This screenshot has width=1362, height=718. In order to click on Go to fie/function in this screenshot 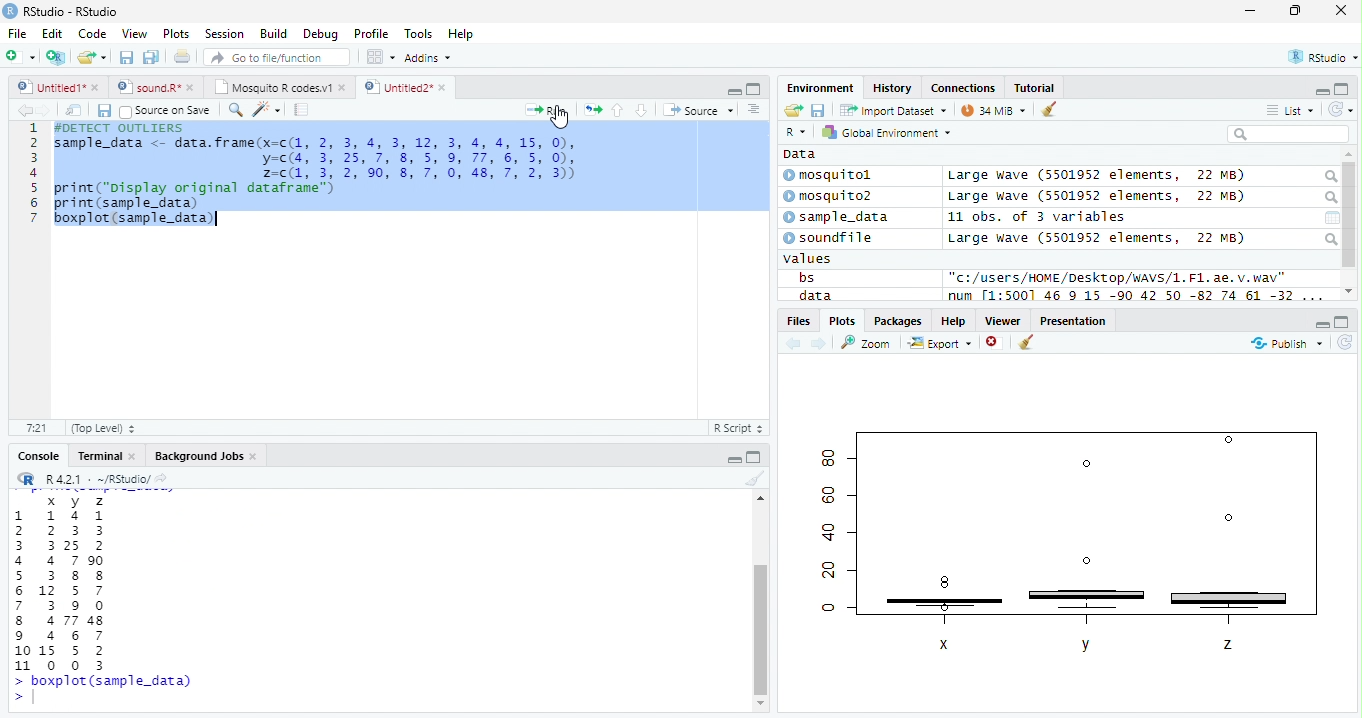, I will do `click(277, 57)`.